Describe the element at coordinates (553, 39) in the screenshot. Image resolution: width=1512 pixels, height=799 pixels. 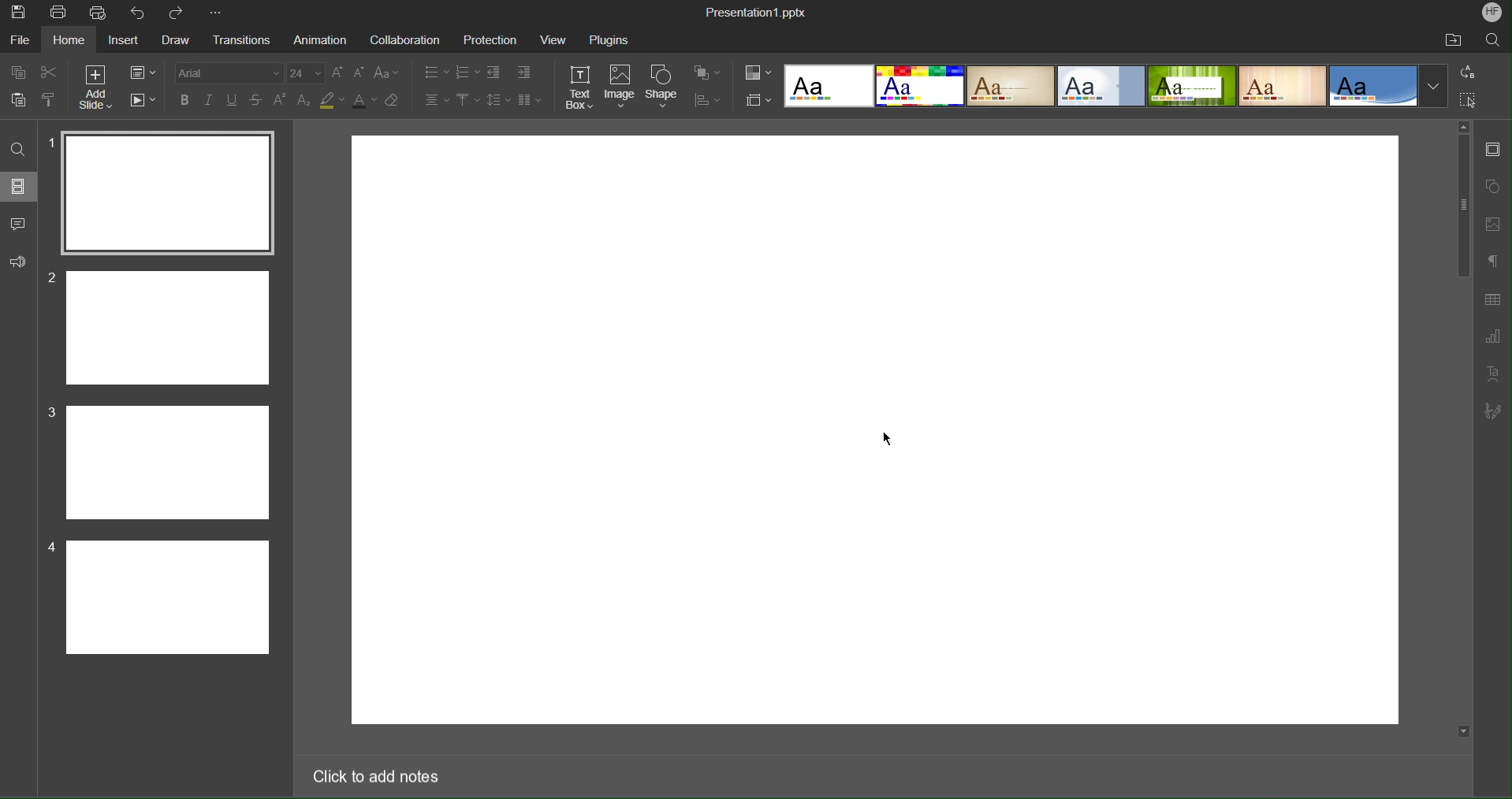
I see `View` at that location.